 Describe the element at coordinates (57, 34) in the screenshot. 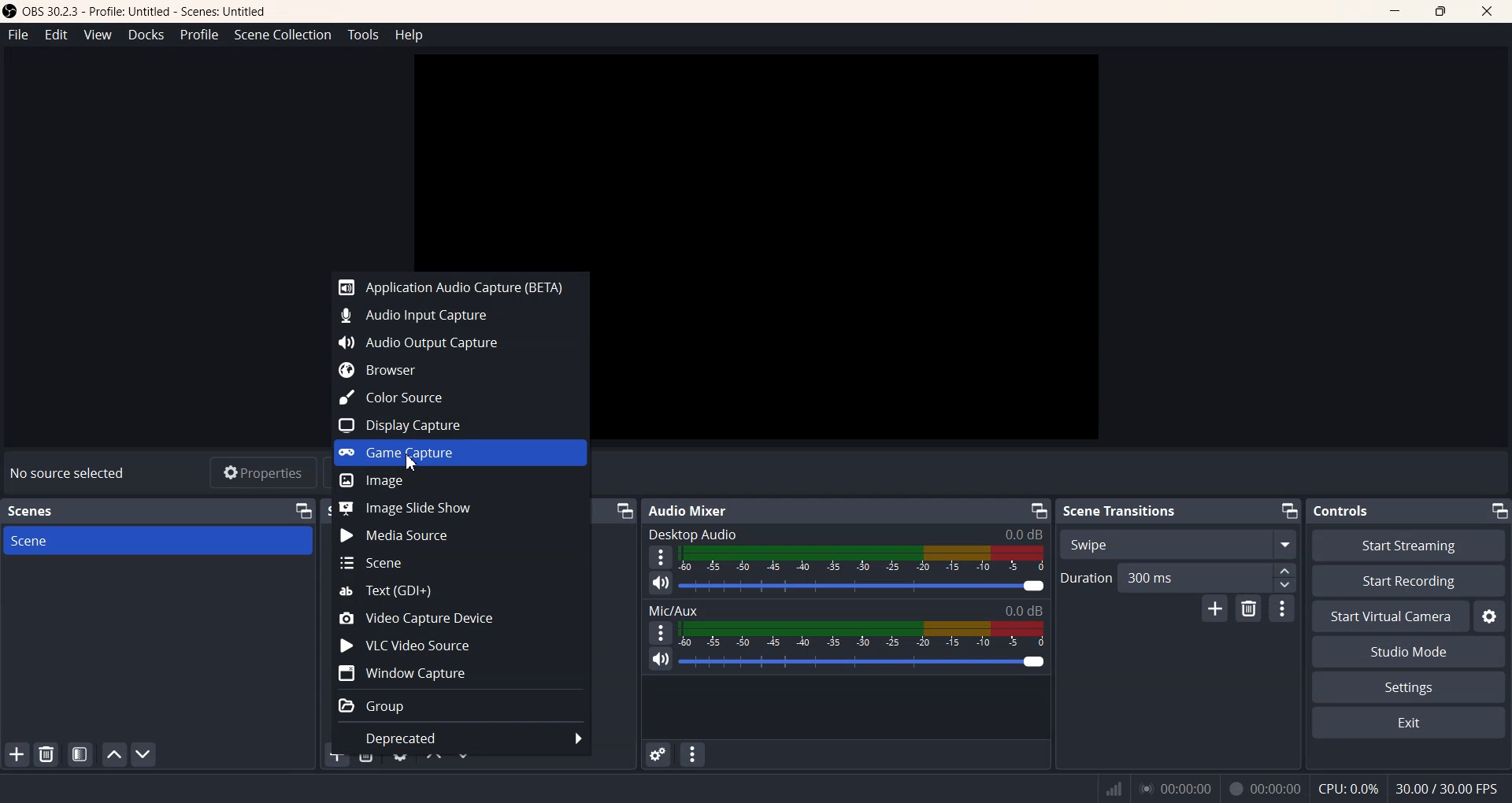

I see `Edit` at that location.